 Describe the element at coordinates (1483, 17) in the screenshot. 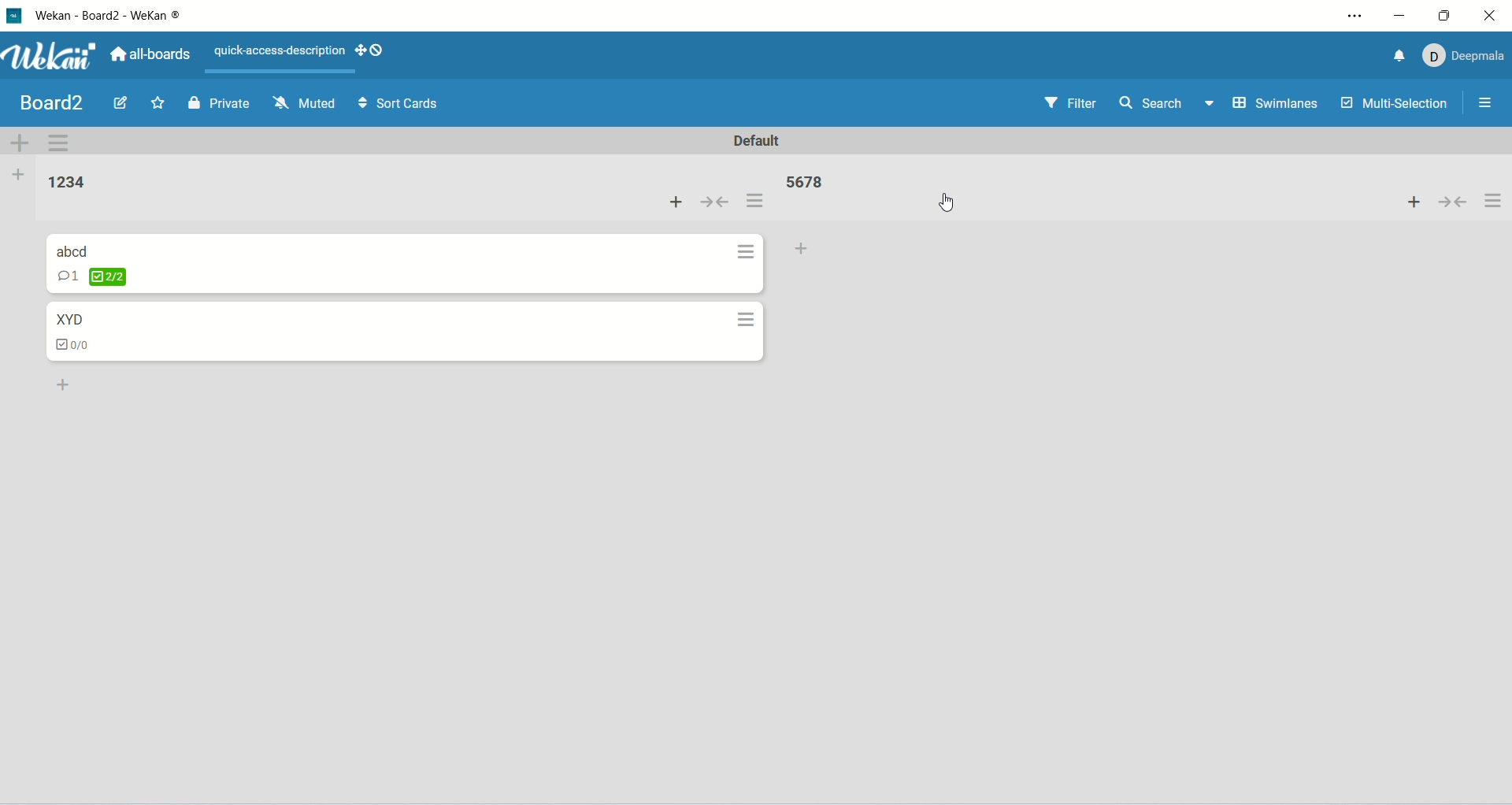

I see `close` at that location.